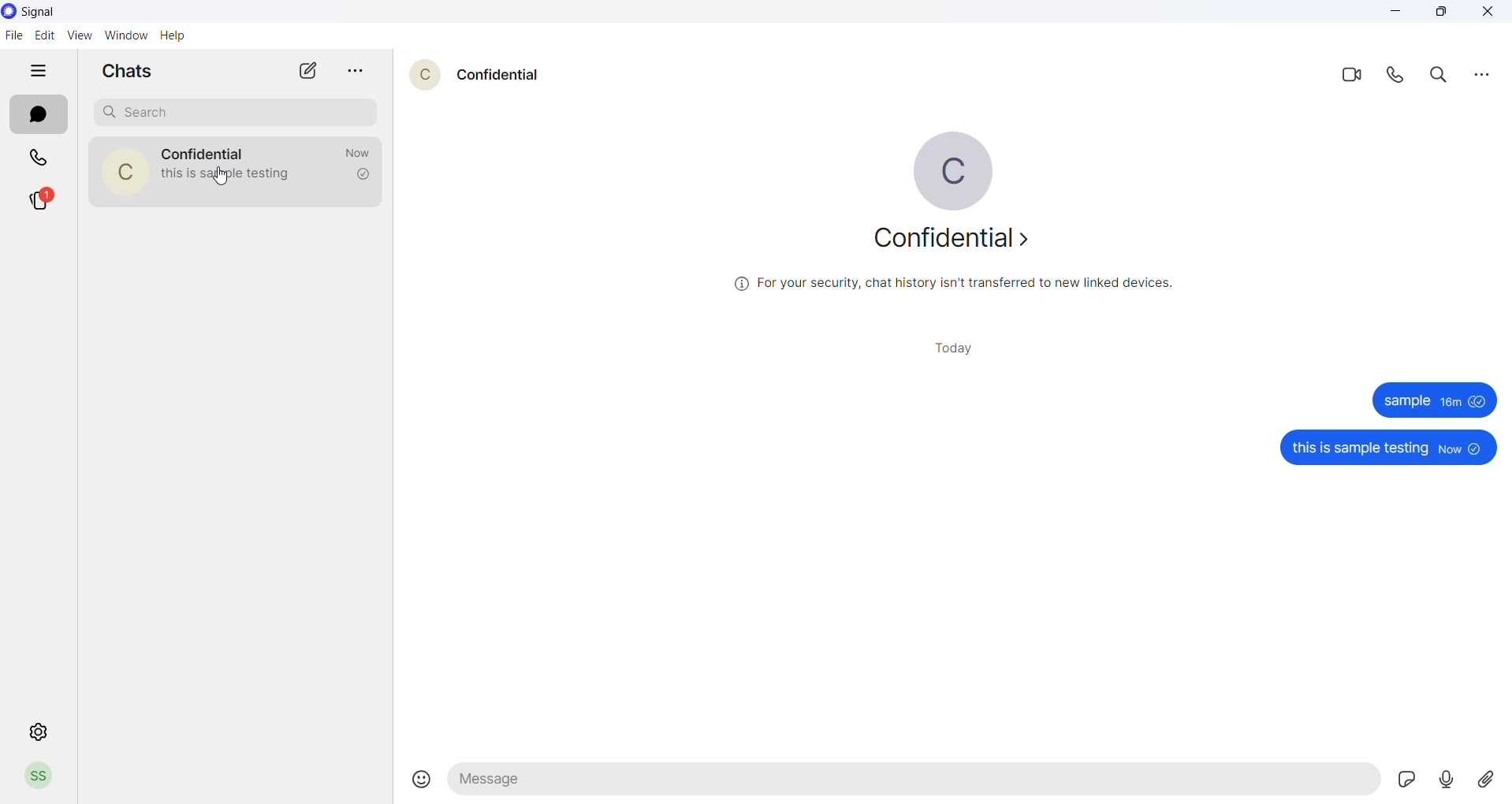  Describe the element at coordinates (39, 115) in the screenshot. I see `chats` at that location.